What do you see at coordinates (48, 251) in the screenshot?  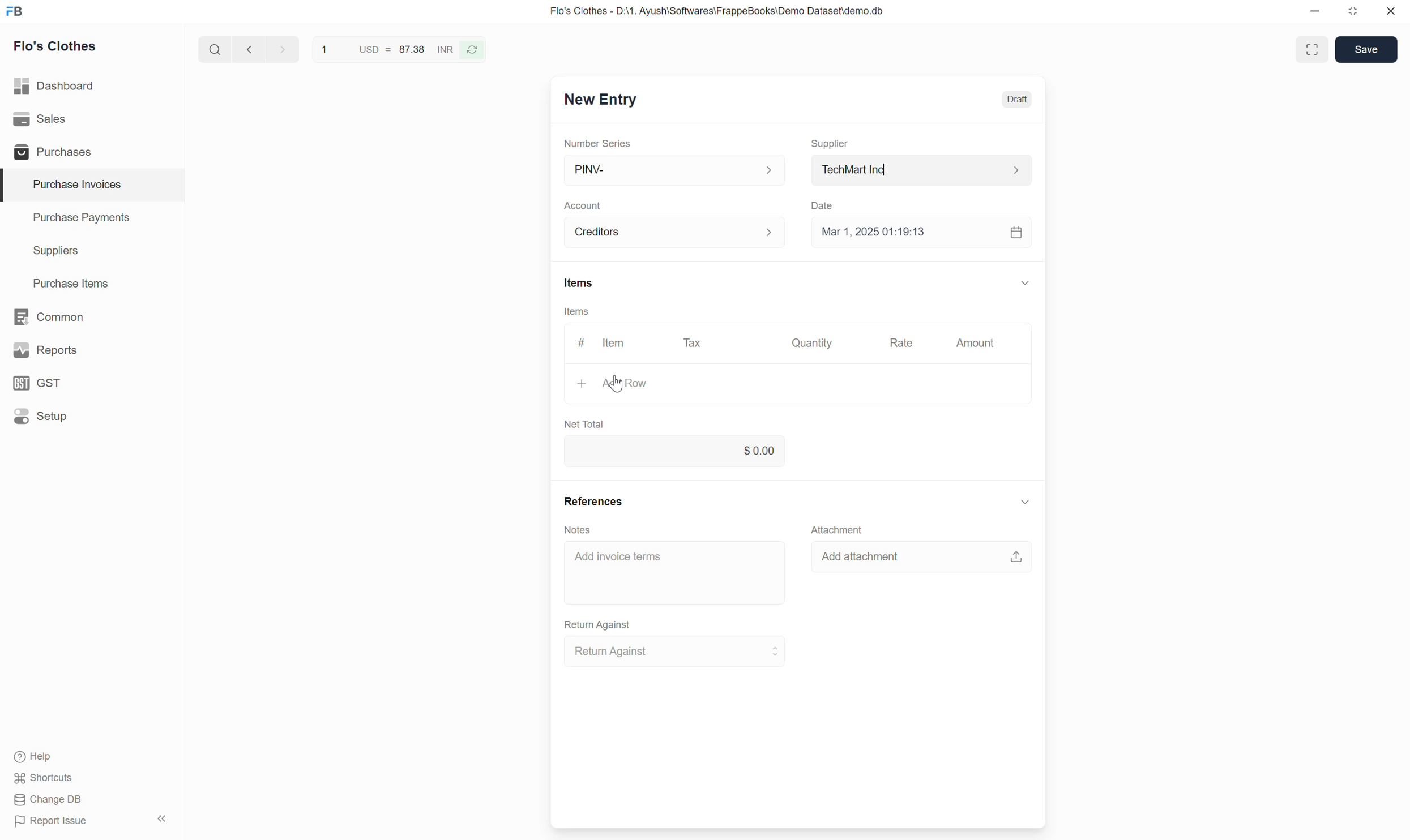 I see `Suppliers` at bounding box center [48, 251].